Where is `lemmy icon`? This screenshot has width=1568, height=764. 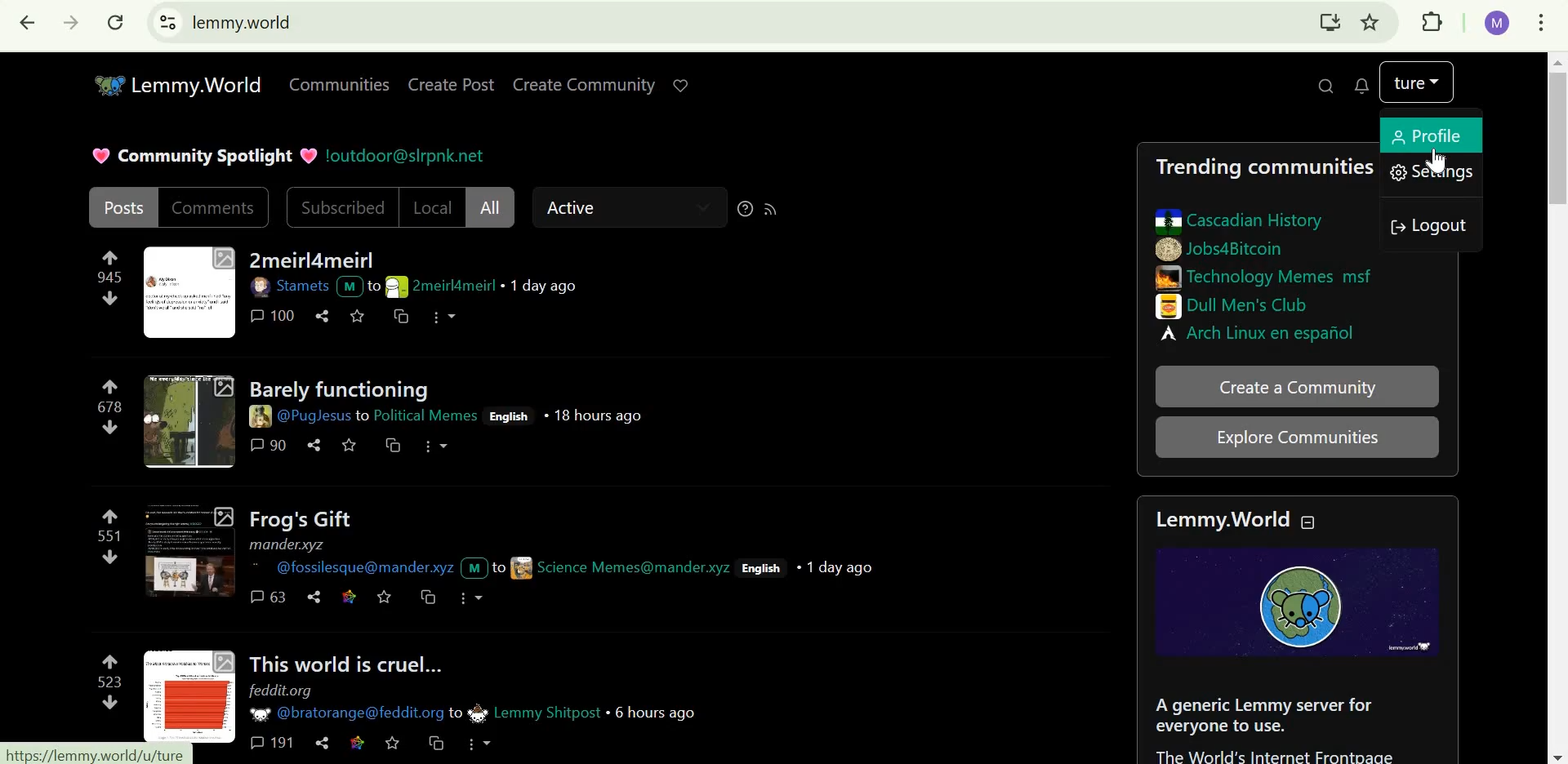
lemmy icon is located at coordinates (1297, 602).